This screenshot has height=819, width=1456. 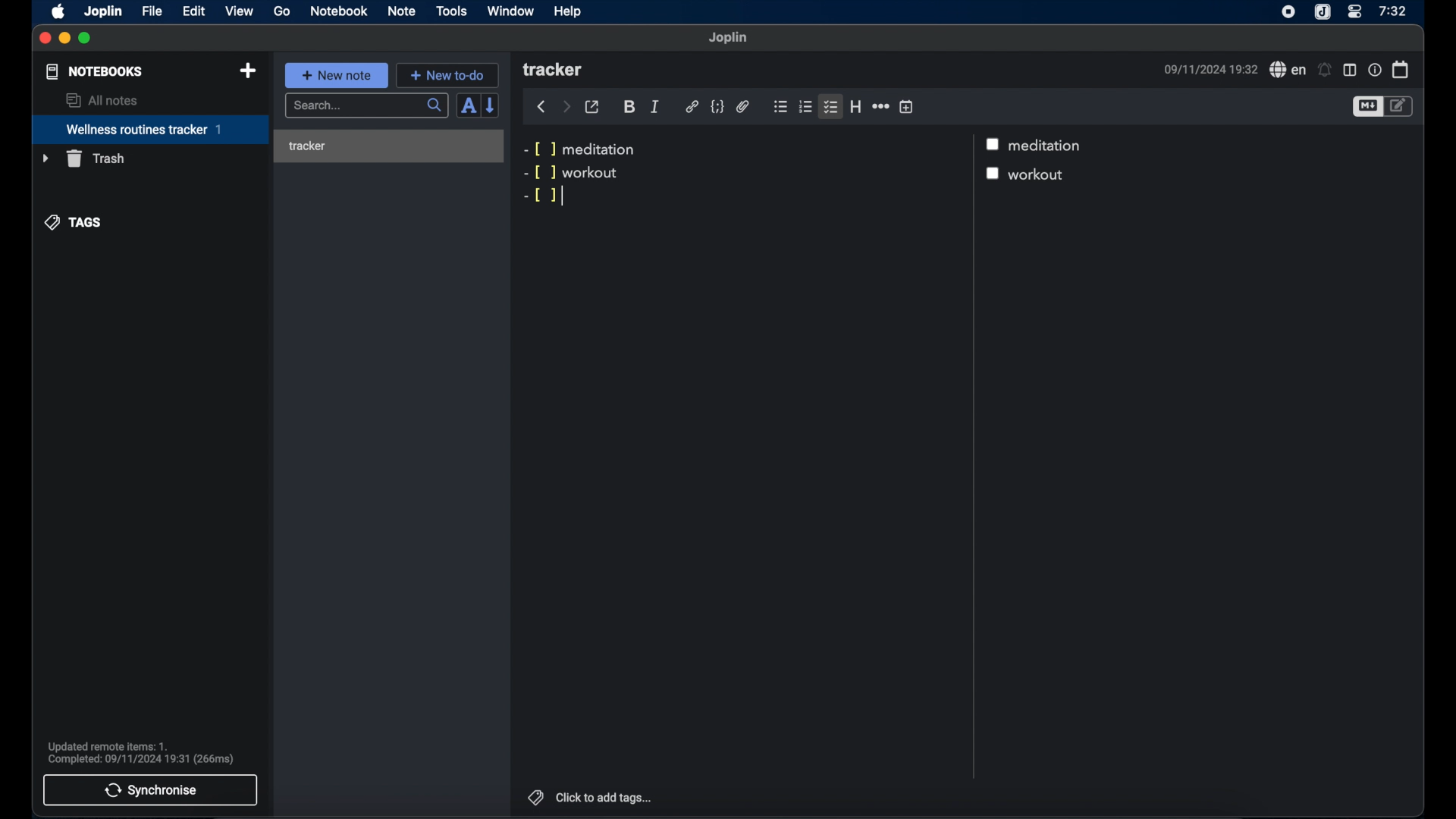 I want to click on maximize, so click(x=86, y=39).